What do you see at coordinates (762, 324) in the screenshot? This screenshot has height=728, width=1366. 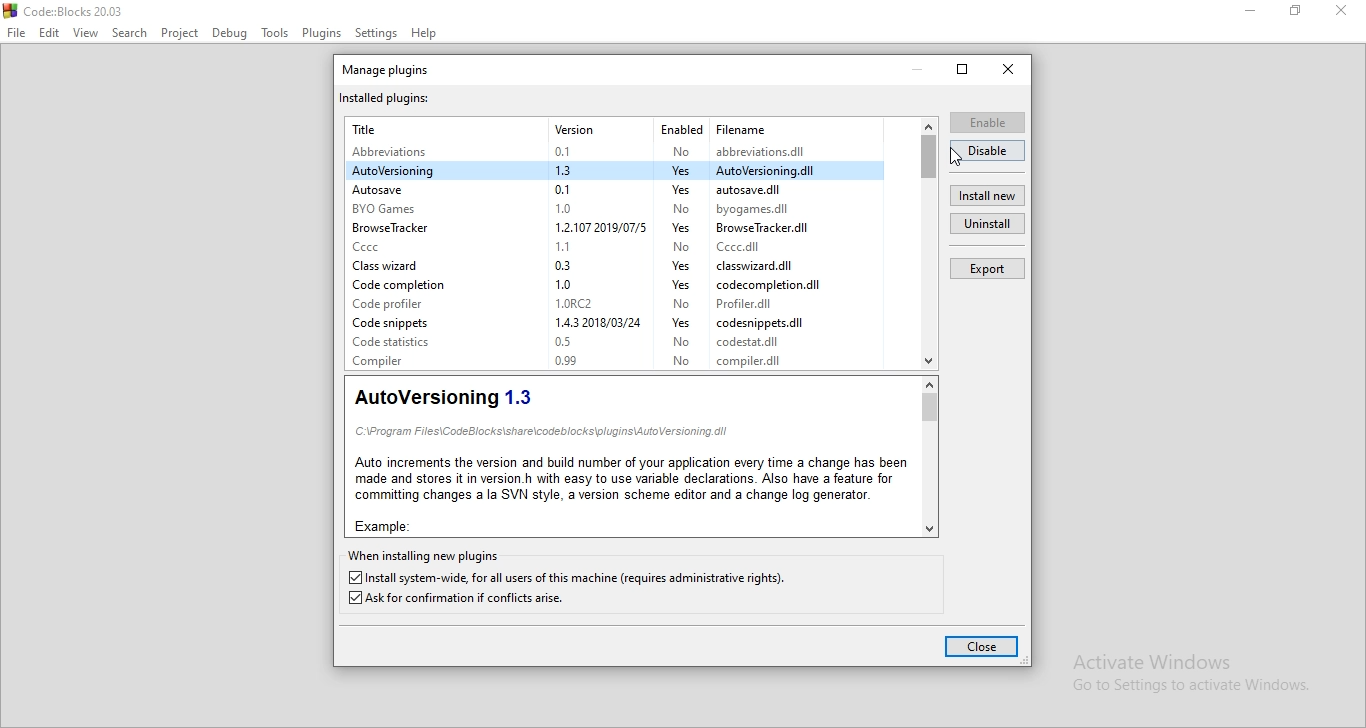 I see `codesnippets.dil` at bounding box center [762, 324].